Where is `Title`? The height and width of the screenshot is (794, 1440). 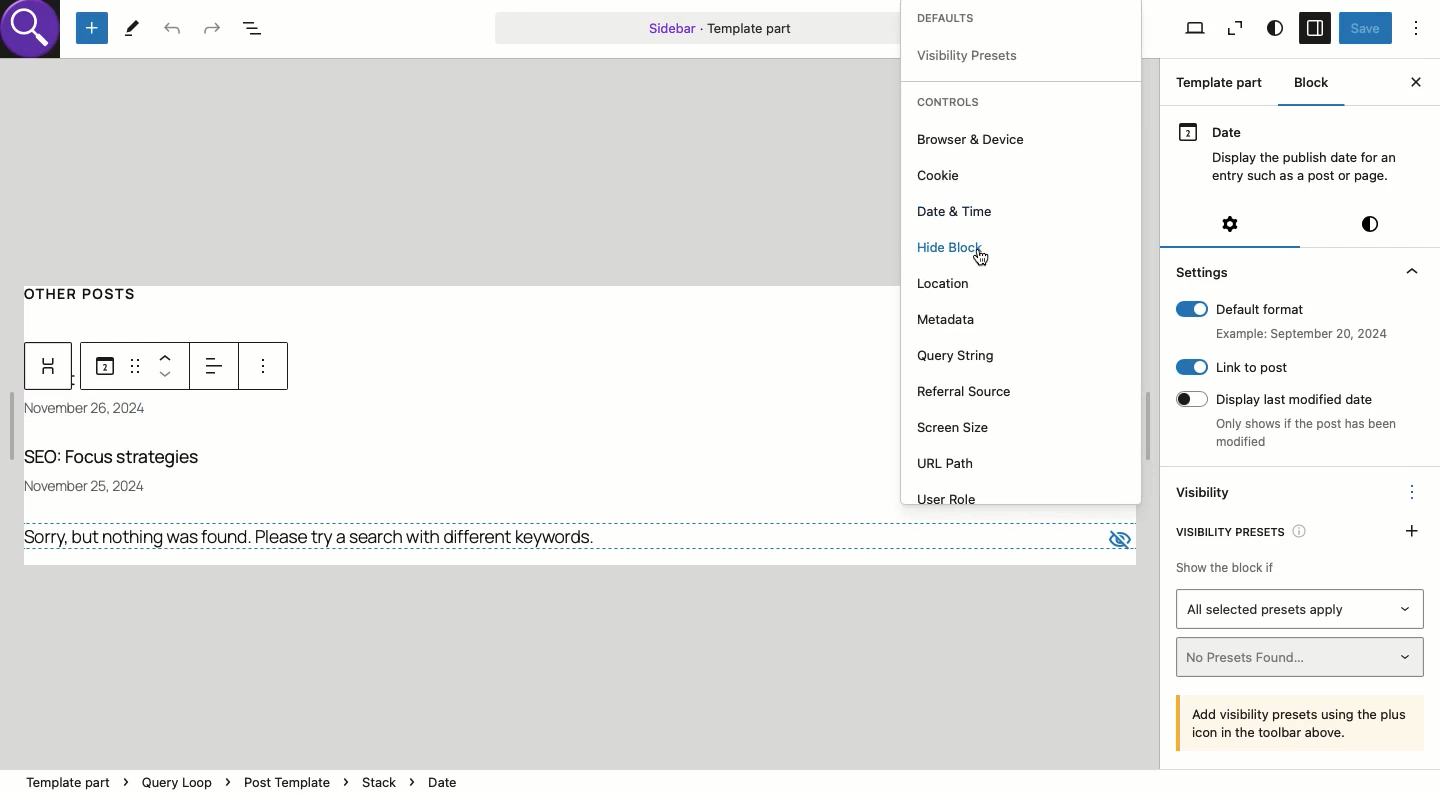 Title is located at coordinates (121, 459).